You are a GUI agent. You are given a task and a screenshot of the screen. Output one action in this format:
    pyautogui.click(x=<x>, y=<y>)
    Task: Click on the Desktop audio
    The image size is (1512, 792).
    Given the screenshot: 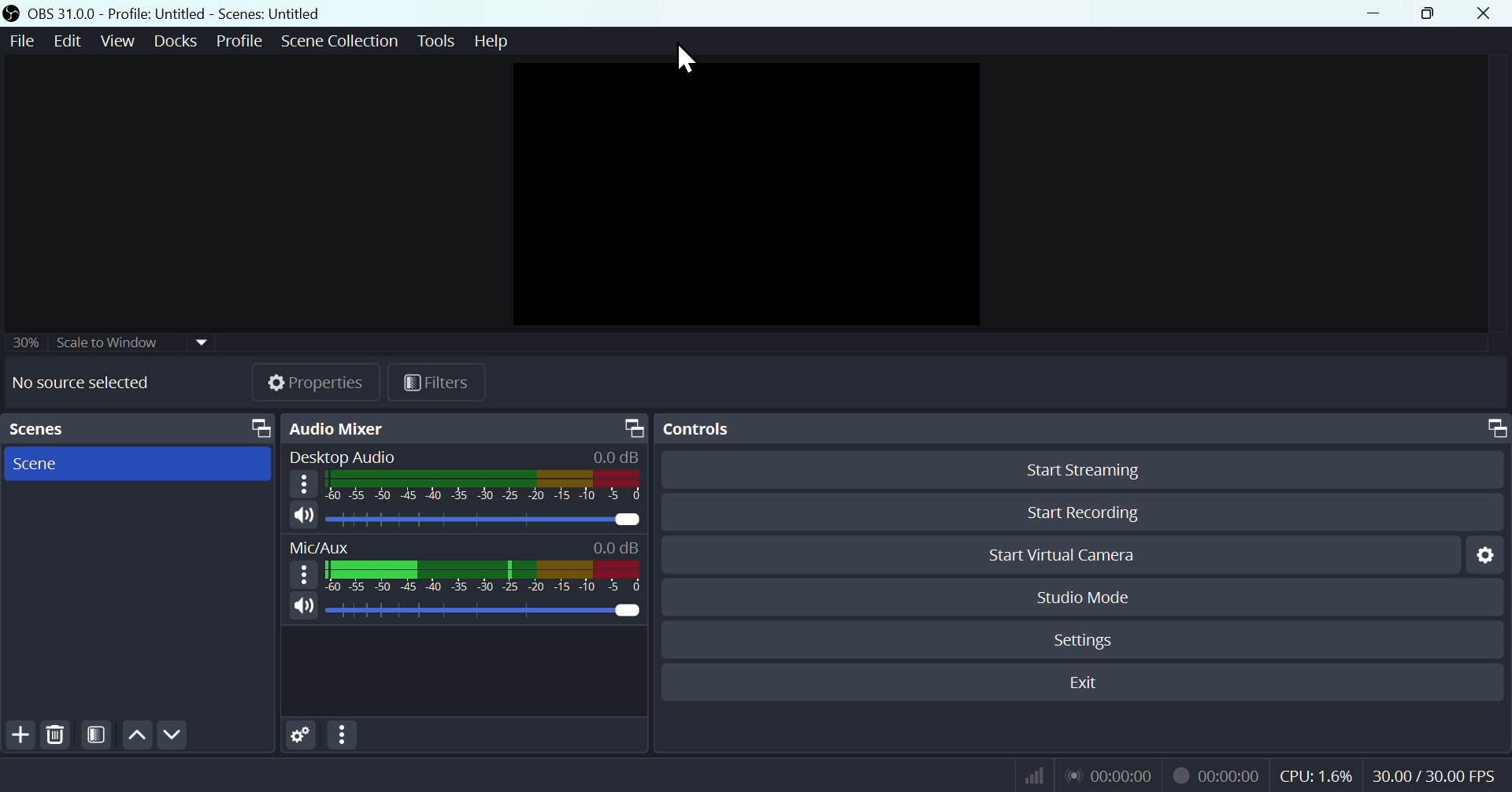 What is the action you would take?
    pyautogui.click(x=350, y=454)
    